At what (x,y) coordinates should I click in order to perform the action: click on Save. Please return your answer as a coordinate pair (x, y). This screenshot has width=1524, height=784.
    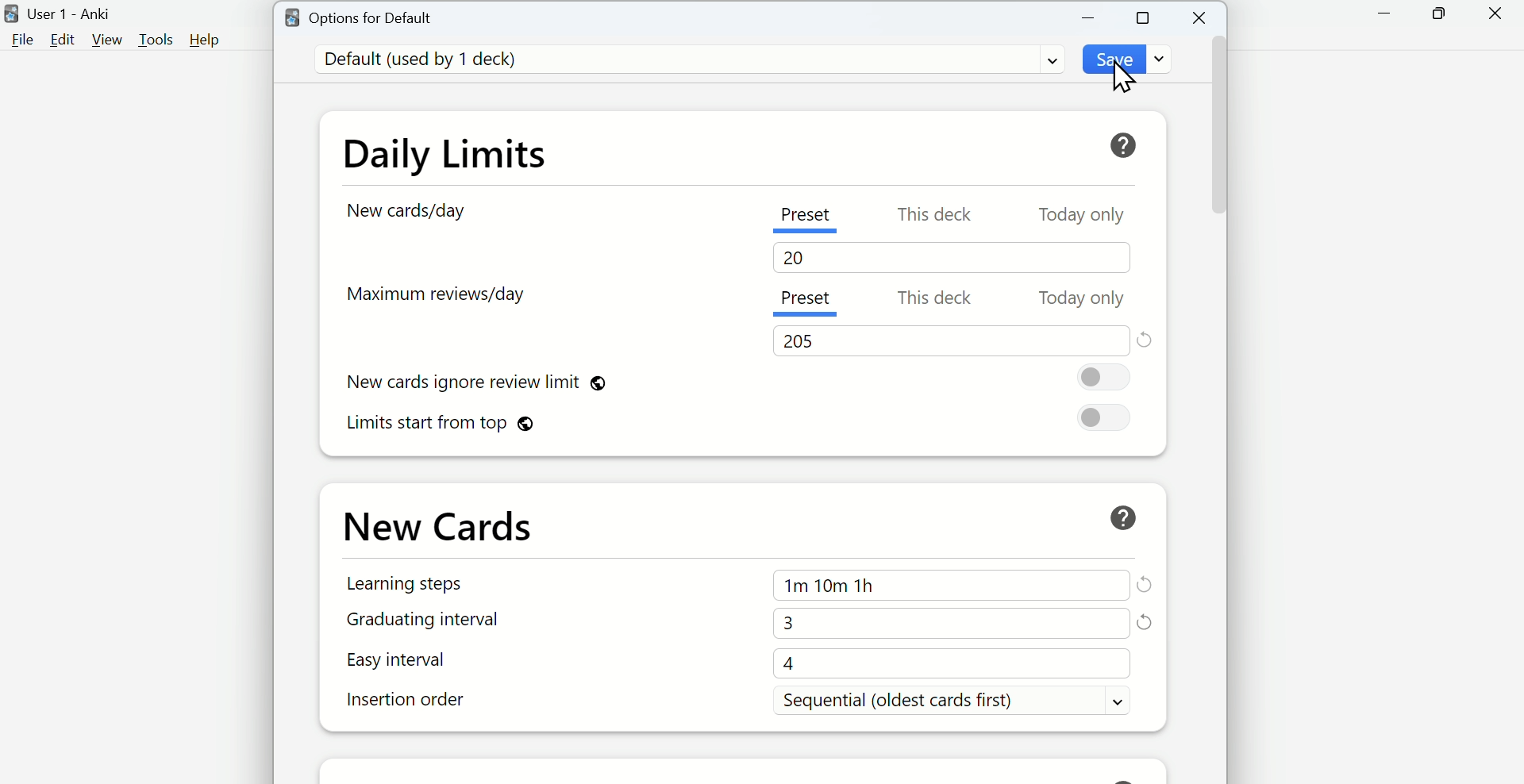
    Looking at the image, I should click on (1109, 58).